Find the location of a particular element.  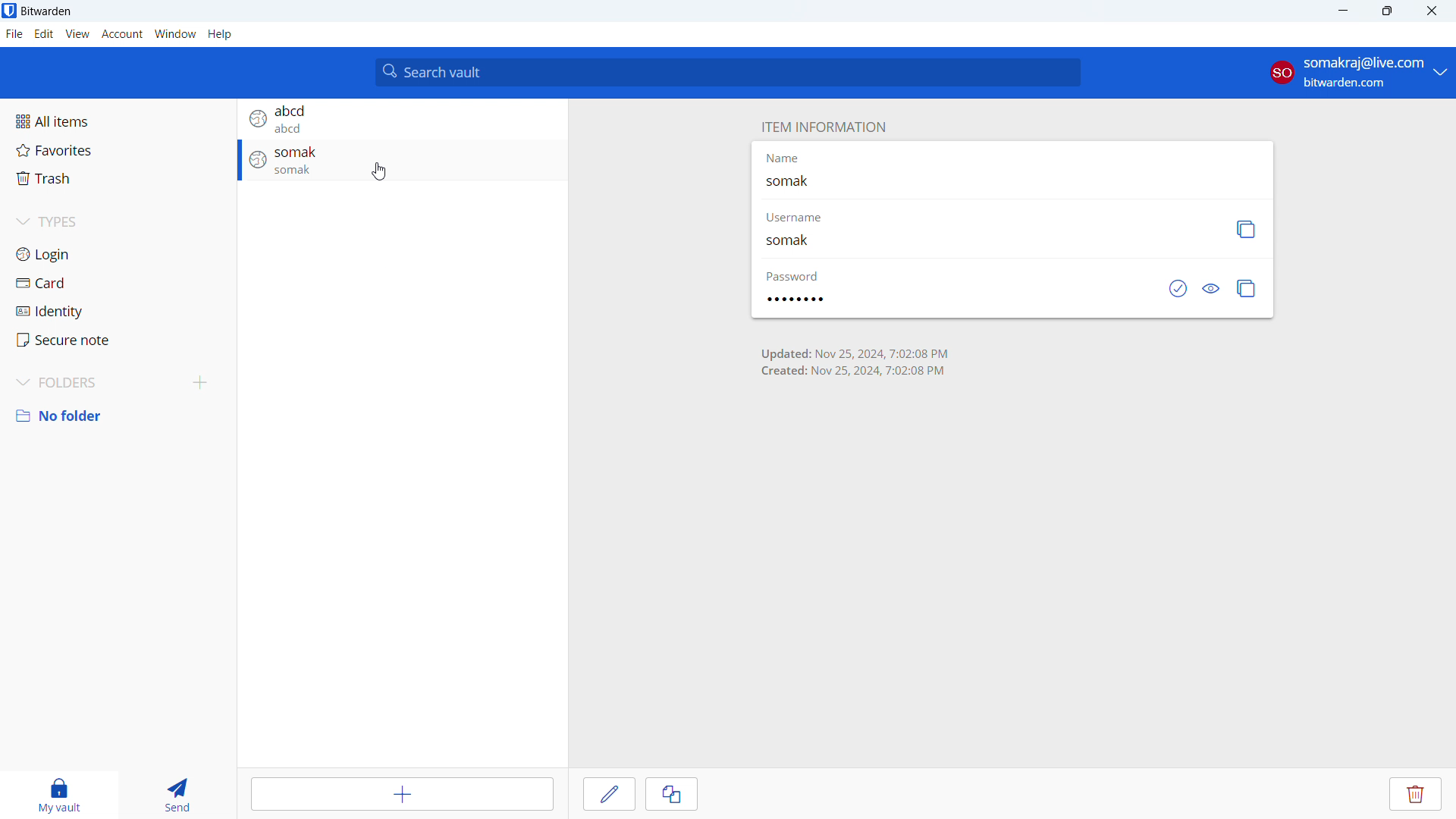

somak is located at coordinates (800, 243).